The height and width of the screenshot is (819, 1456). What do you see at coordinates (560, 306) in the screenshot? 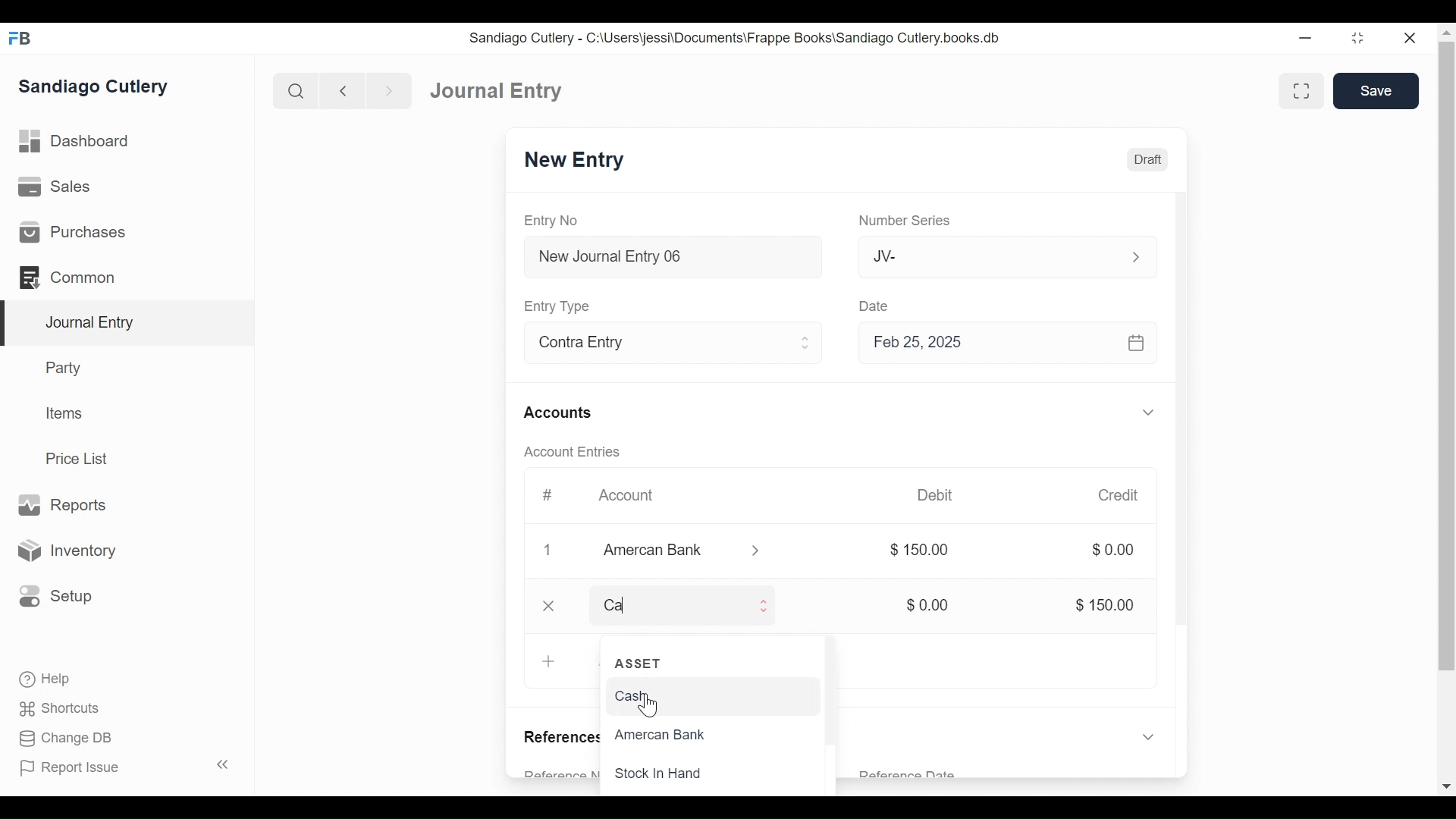
I see `Entry Type` at bounding box center [560, 306].